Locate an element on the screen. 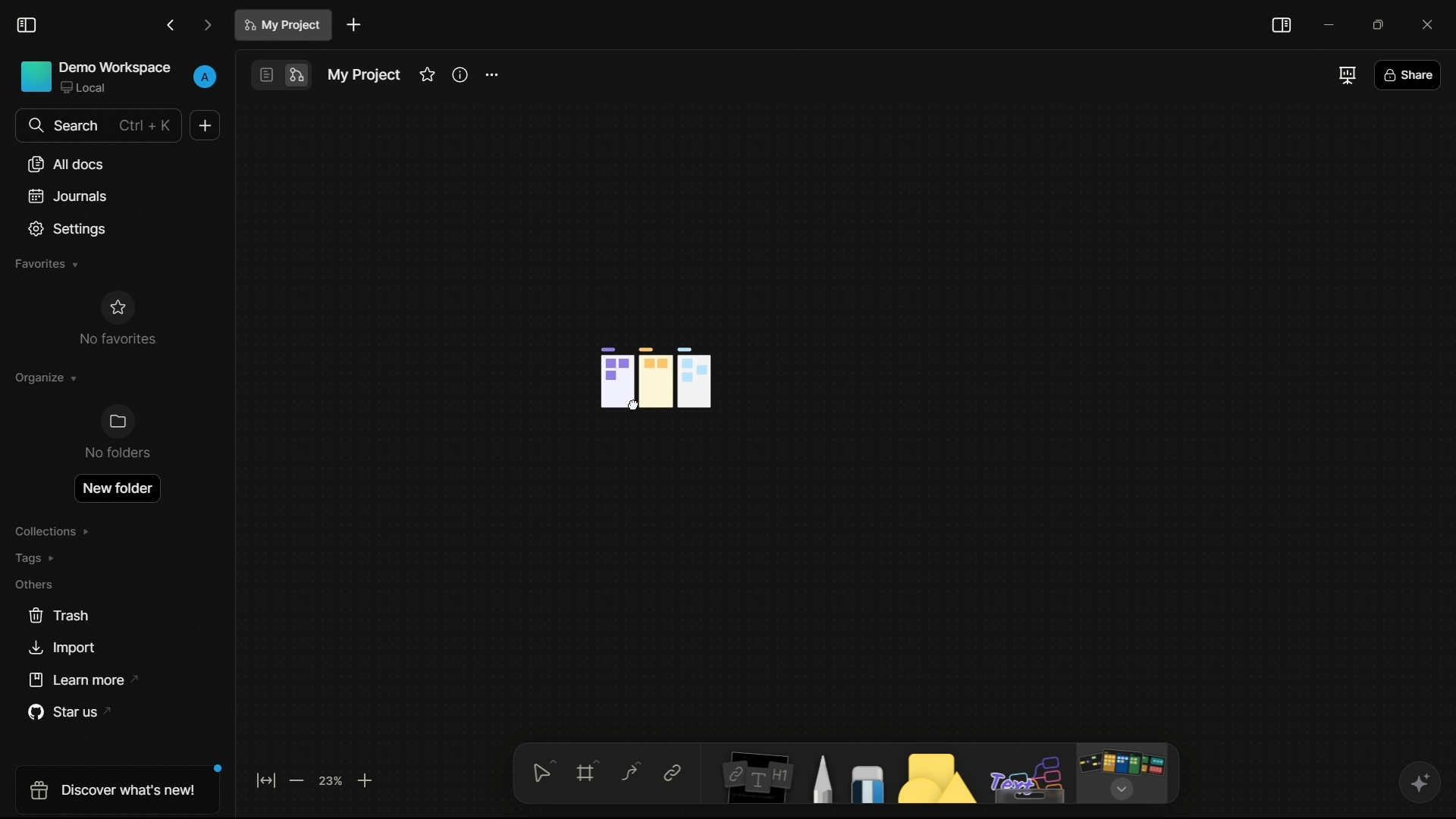 This screenshot has height=819, width=1456. others is located at coordinates (33, 584).